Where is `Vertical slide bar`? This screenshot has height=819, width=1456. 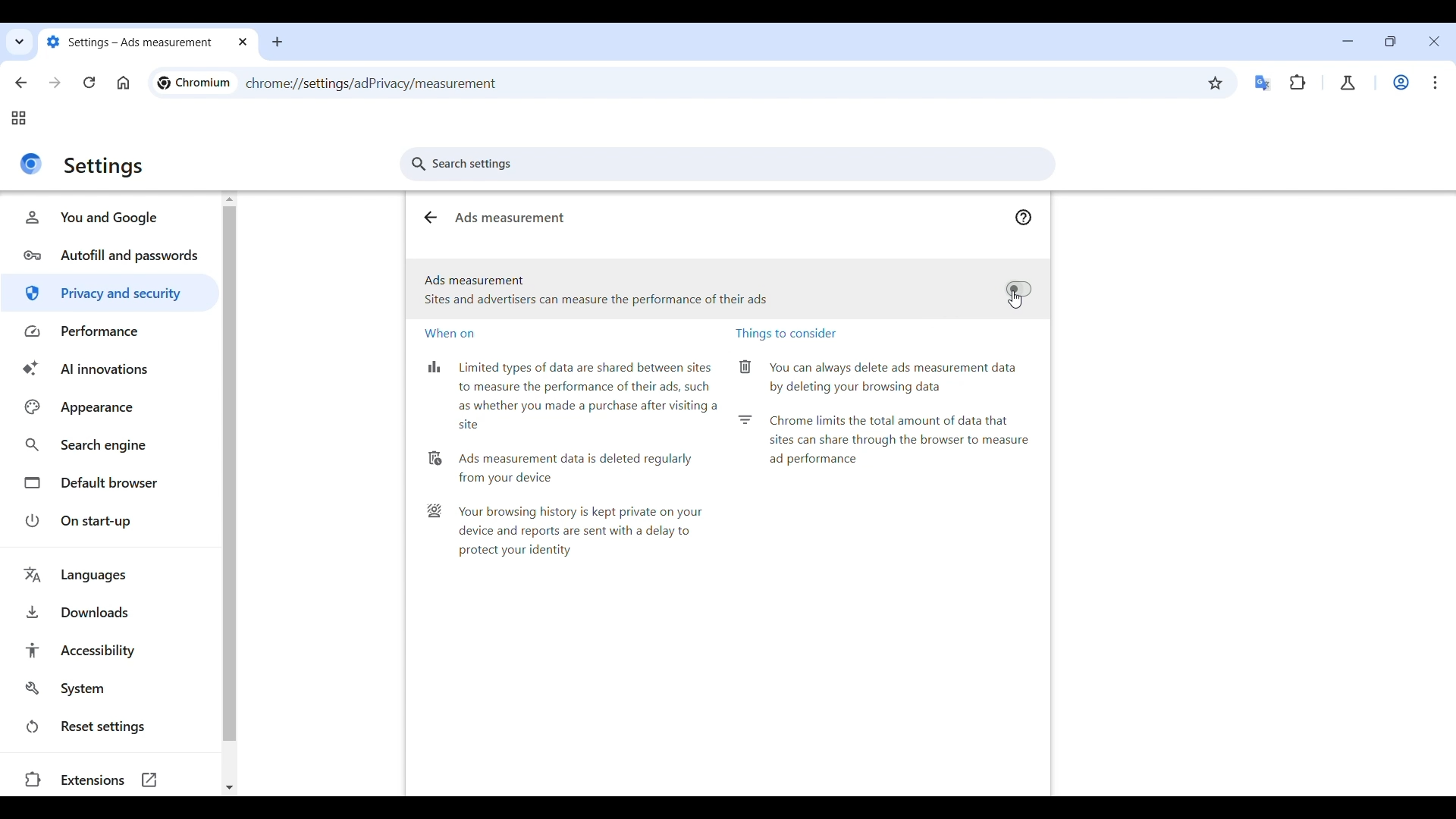 Vertical slide bar is located at coordinates (230, 473).